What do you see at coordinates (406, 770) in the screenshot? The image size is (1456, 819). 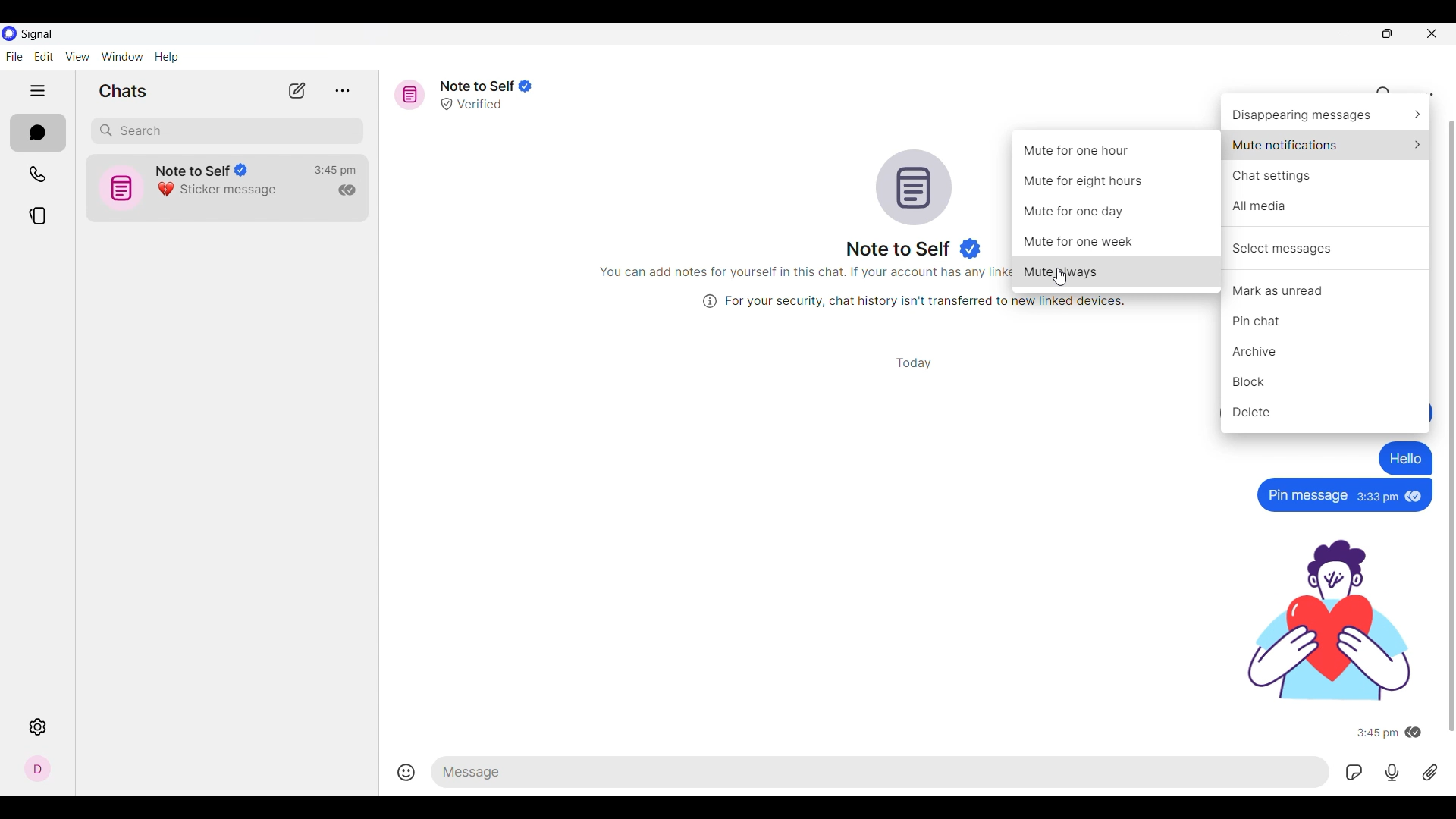 I see `Insert emojis` at bounding box center [406, 770].